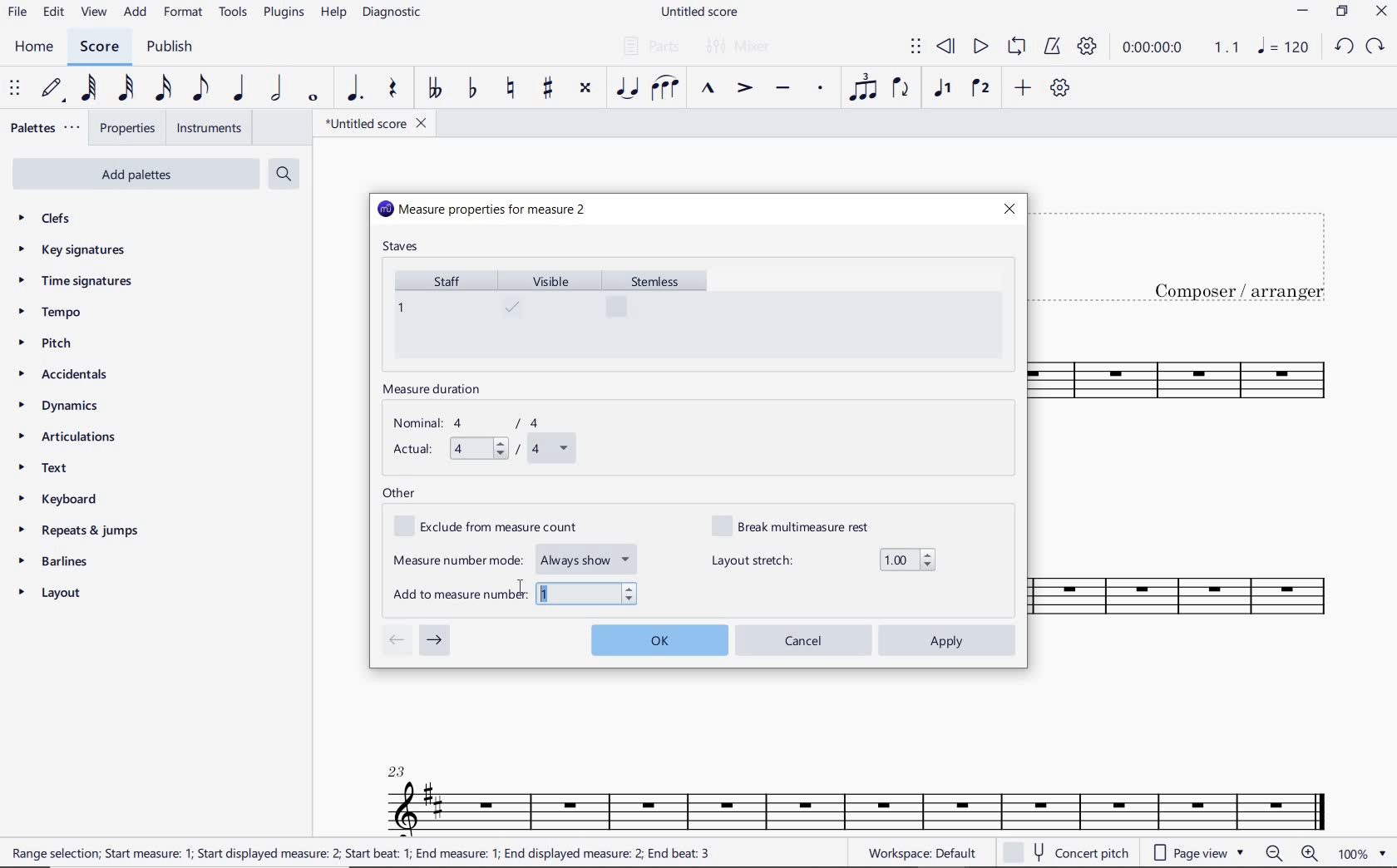  I want to click on break multimeasure rest, so click(802, 525).